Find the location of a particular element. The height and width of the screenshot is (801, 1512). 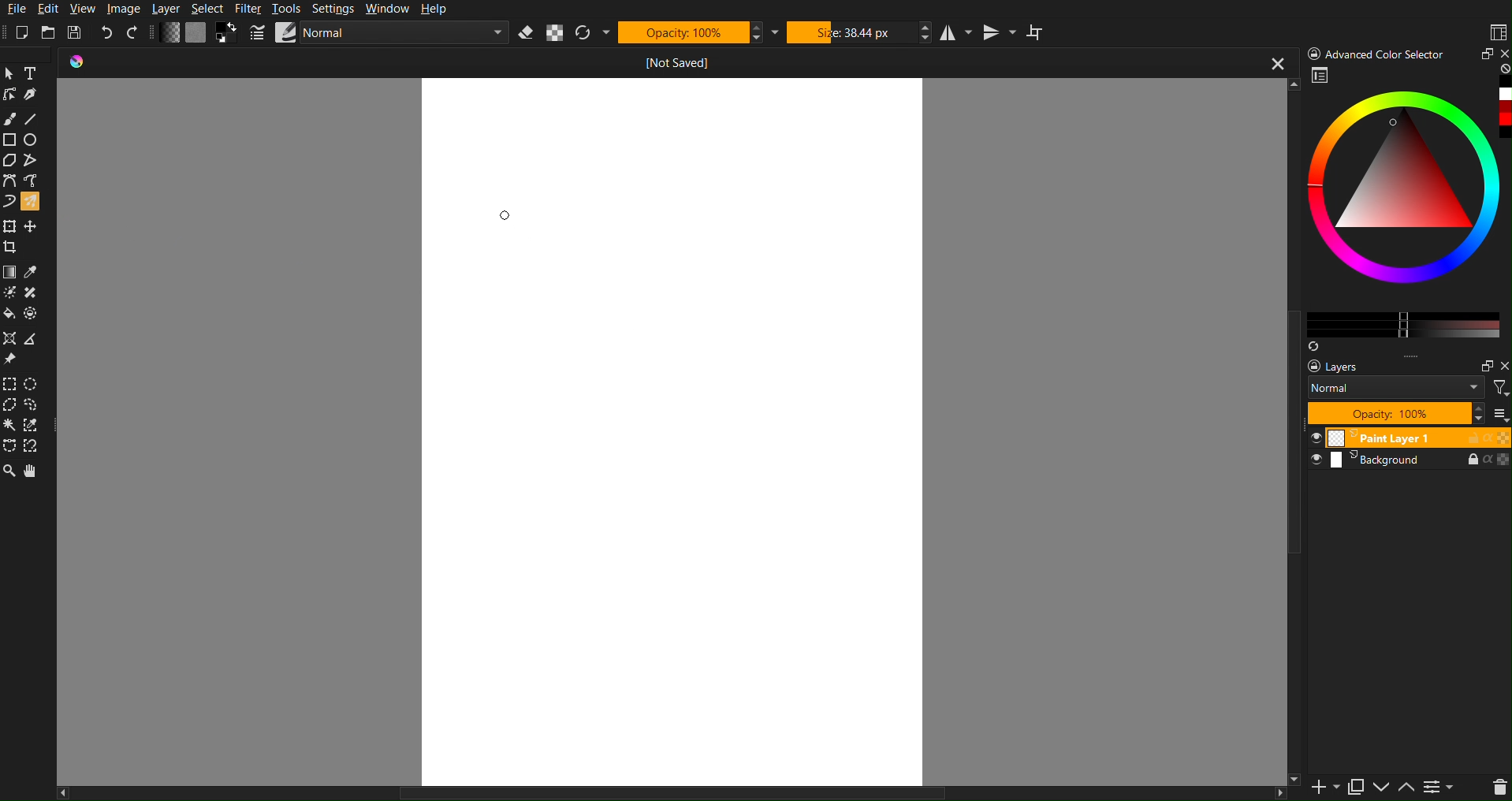

Opacity is located at coordinates (690, 32).